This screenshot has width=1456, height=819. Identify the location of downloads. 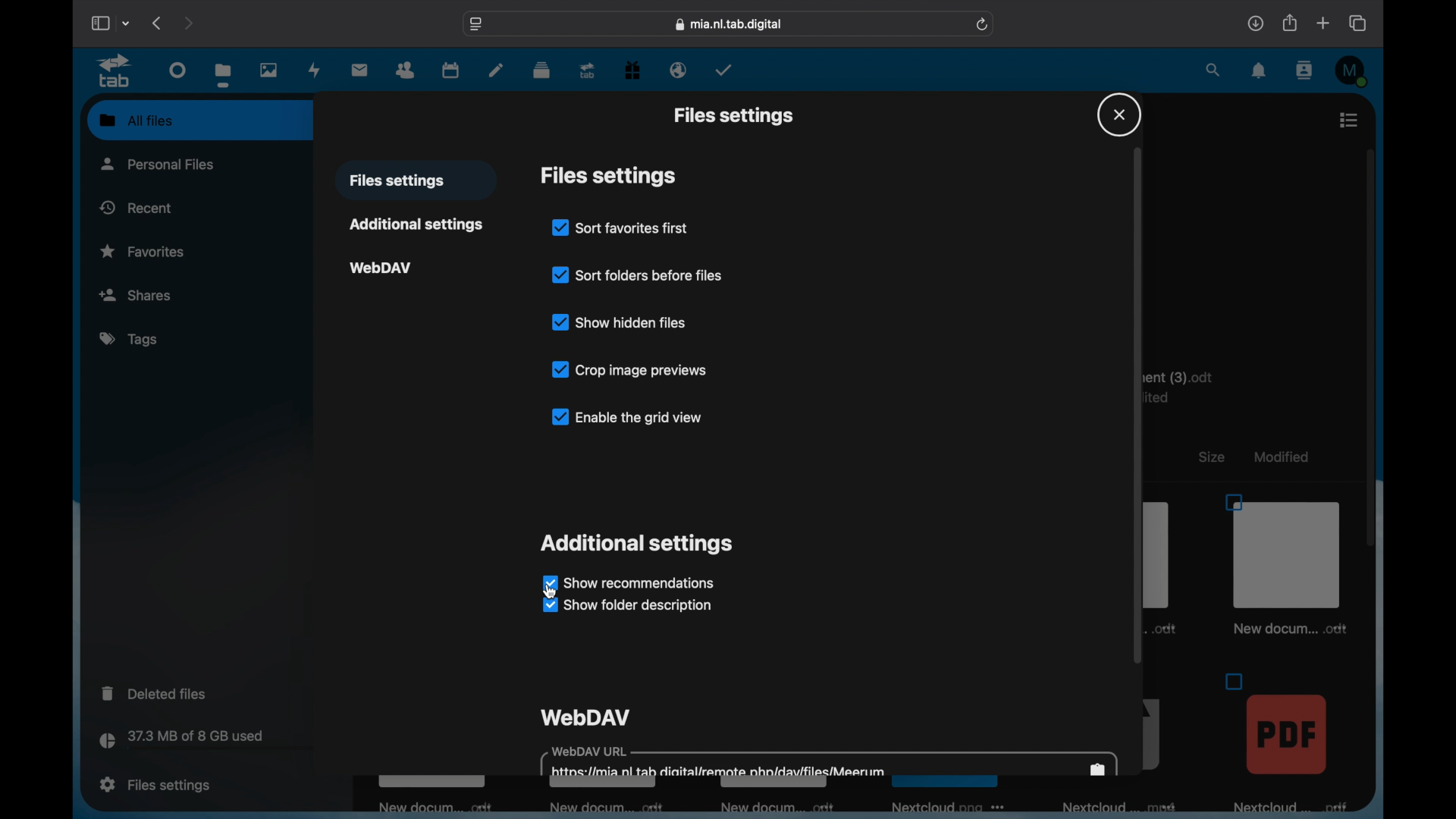
(1256, 23).